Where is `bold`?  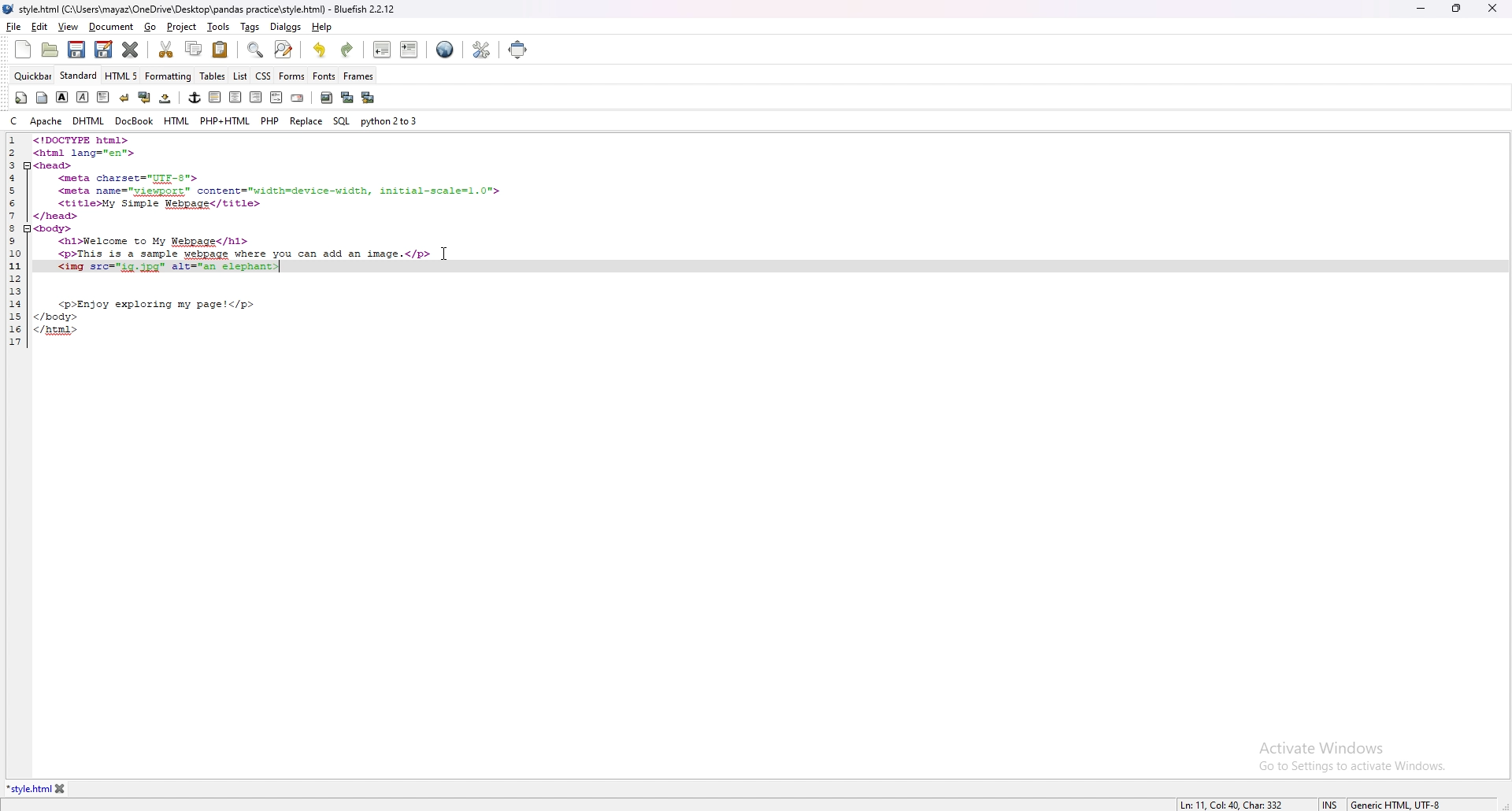 bold is located at coordinates (63, 97).